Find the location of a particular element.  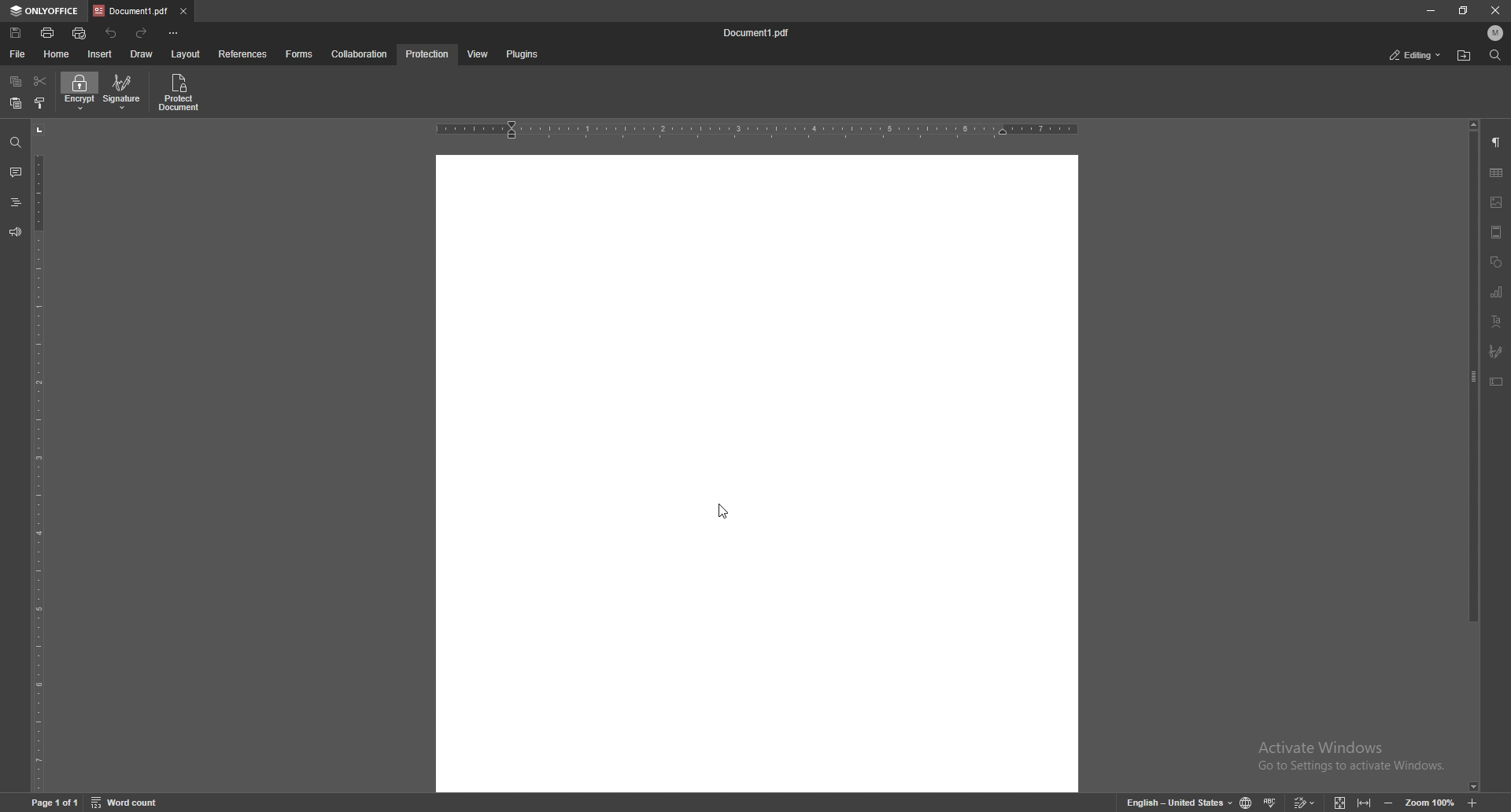

file name is located at coordinates (759, 33).